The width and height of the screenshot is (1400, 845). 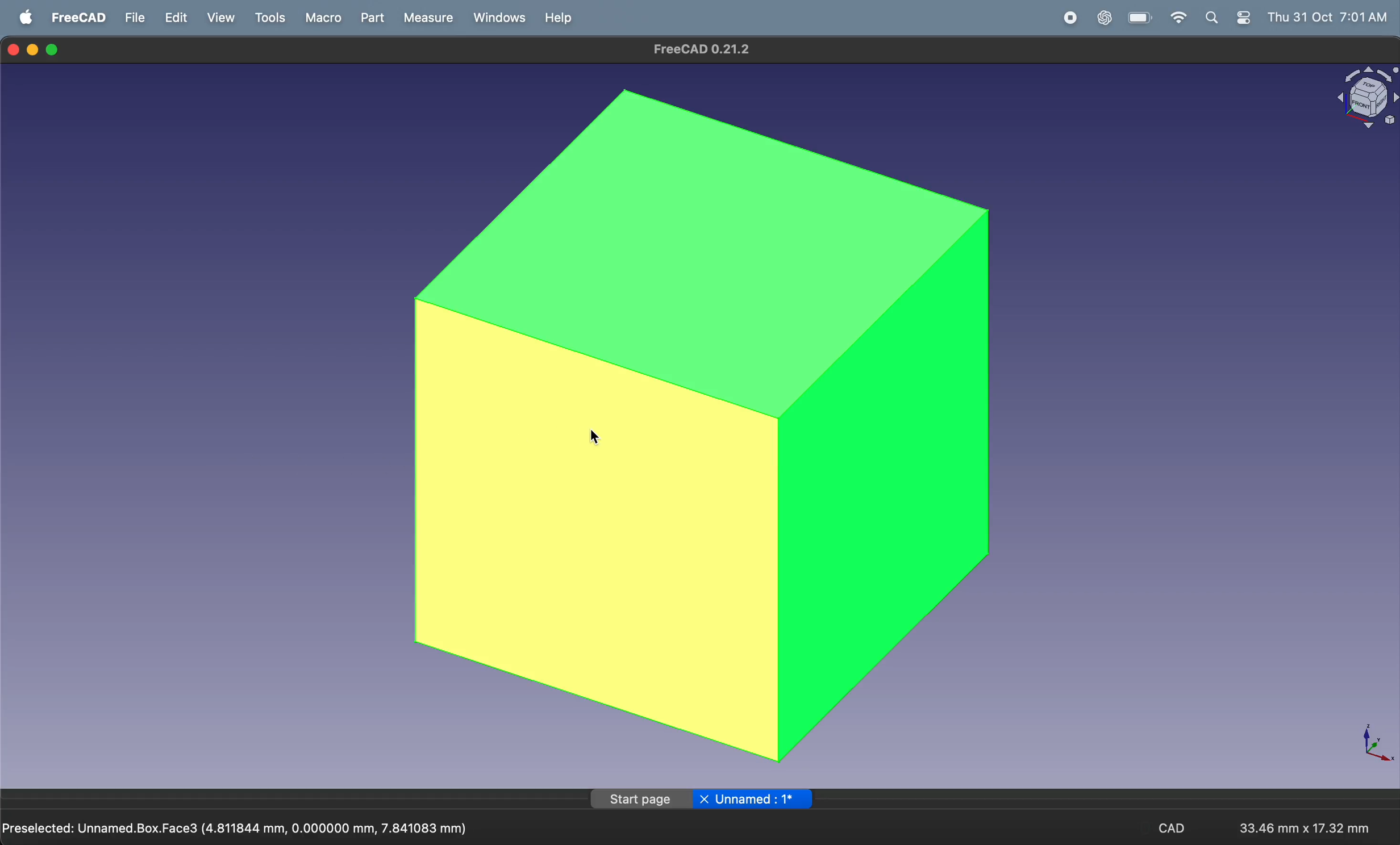 I want to click on tools, so click(x=272, y=18).